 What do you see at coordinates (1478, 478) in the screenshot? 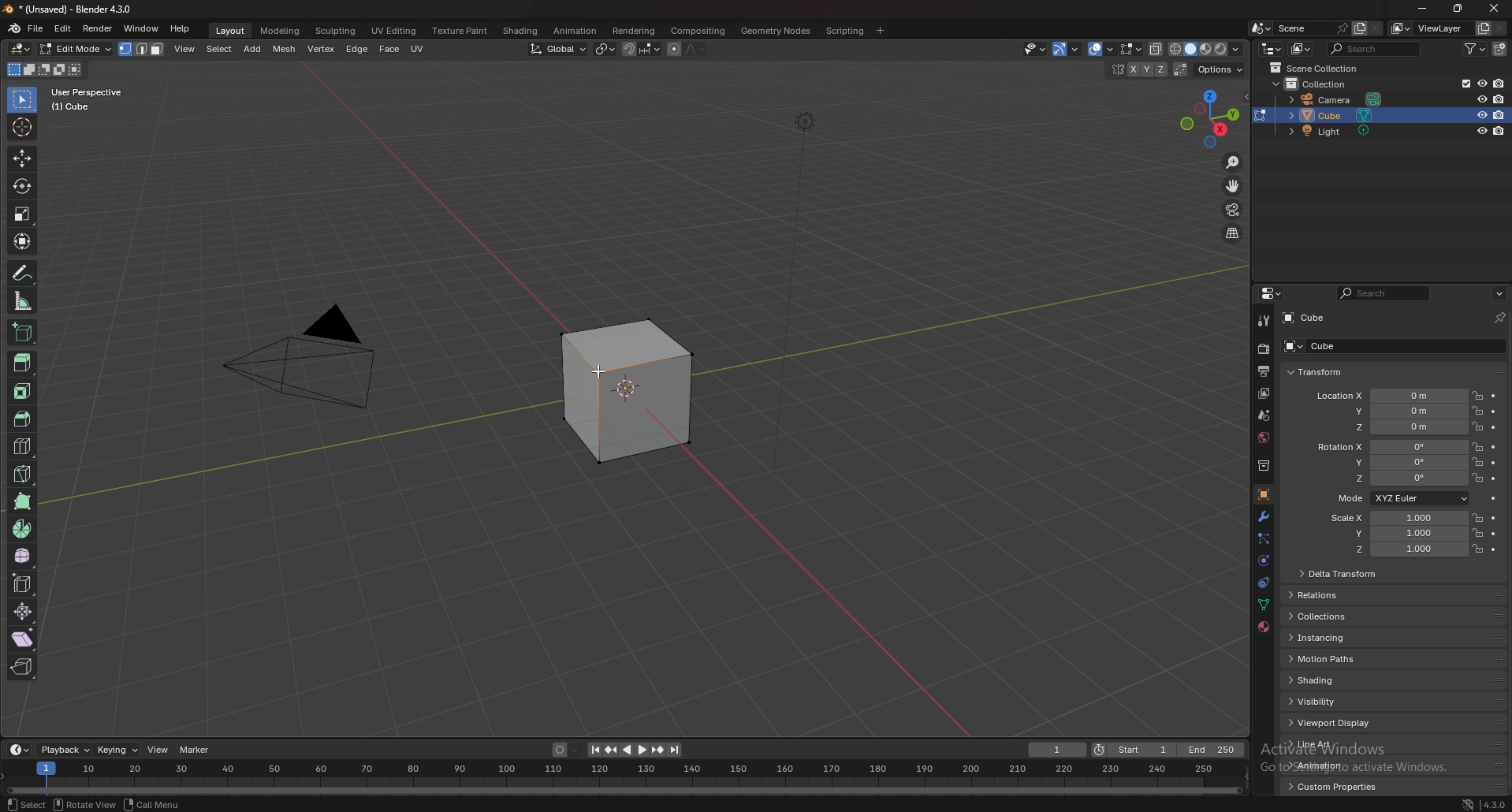
I see `lock location` at bounding box center [1478, 478].